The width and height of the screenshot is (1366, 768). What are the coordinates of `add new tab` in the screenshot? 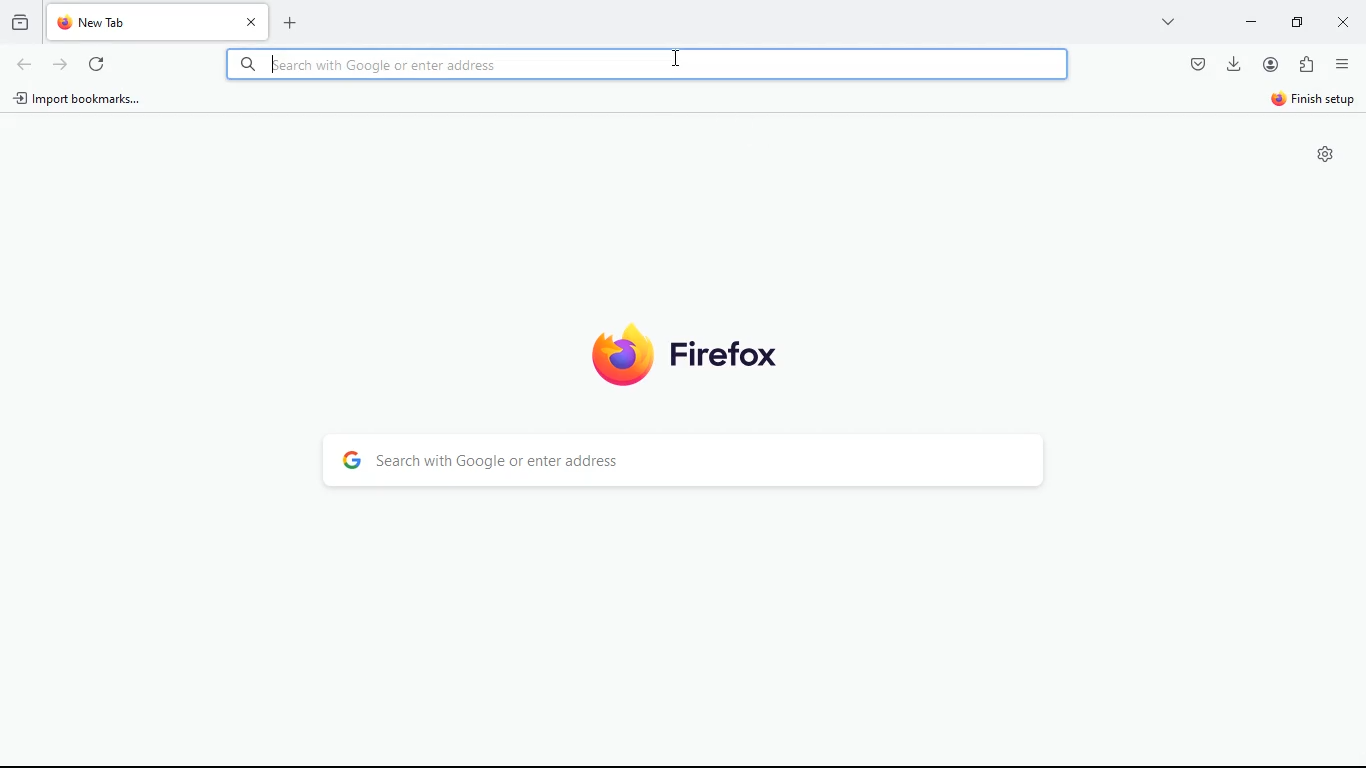 It's located at (295, 23).